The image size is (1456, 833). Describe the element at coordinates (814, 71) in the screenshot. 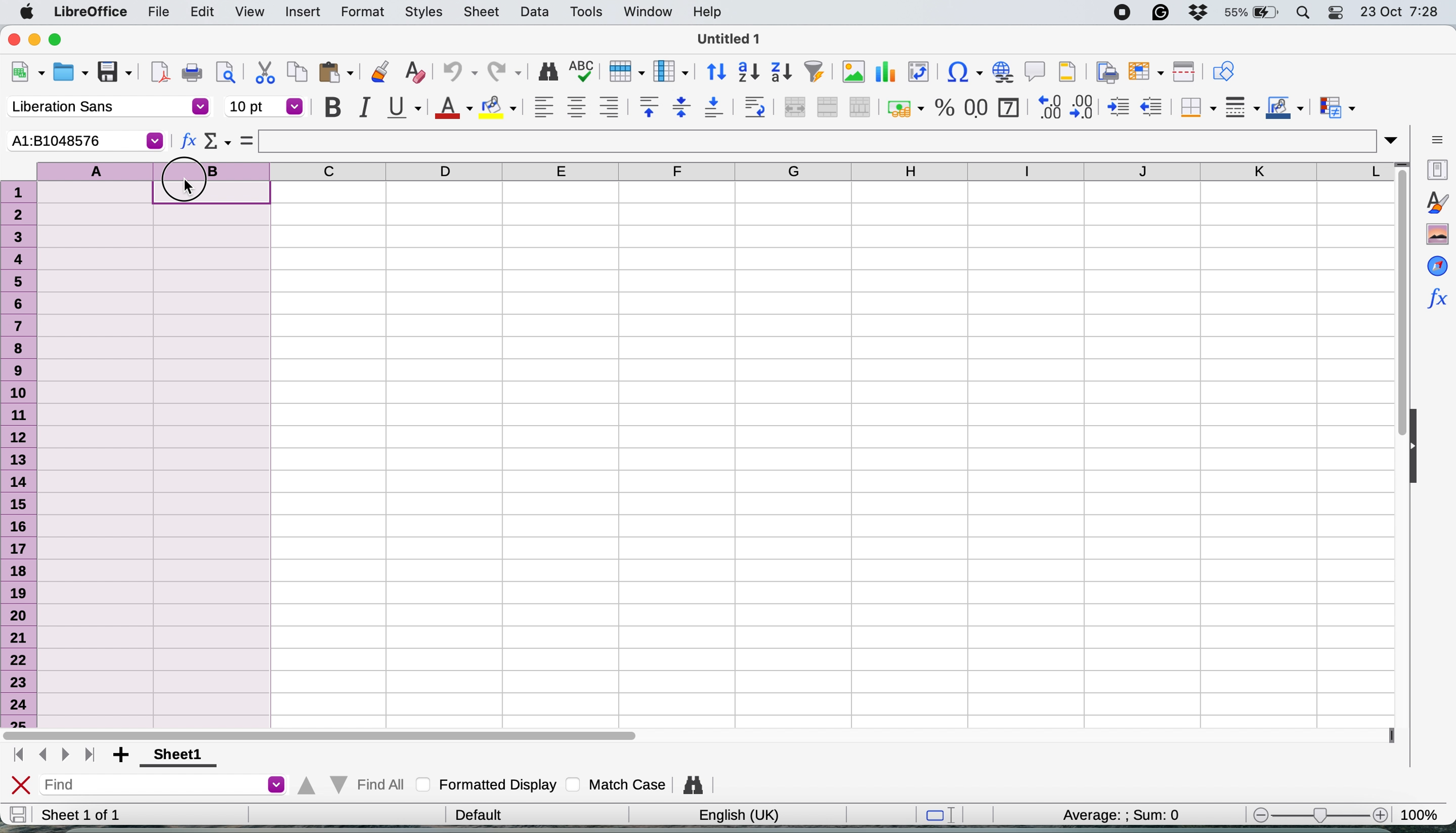

I see `autofilter` at that location.